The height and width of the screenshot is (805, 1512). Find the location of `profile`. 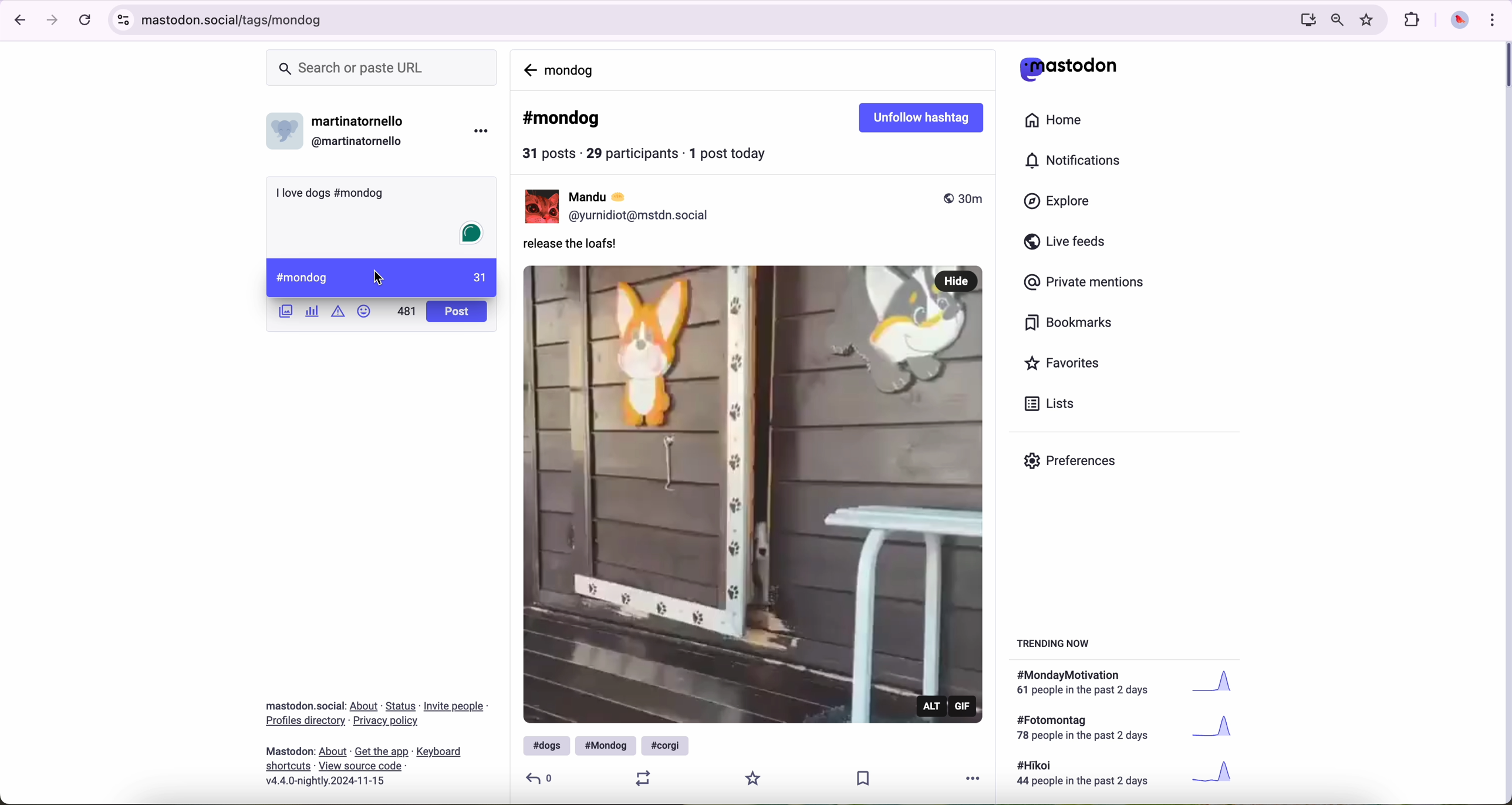

profile is located at coordinates (643, 216).